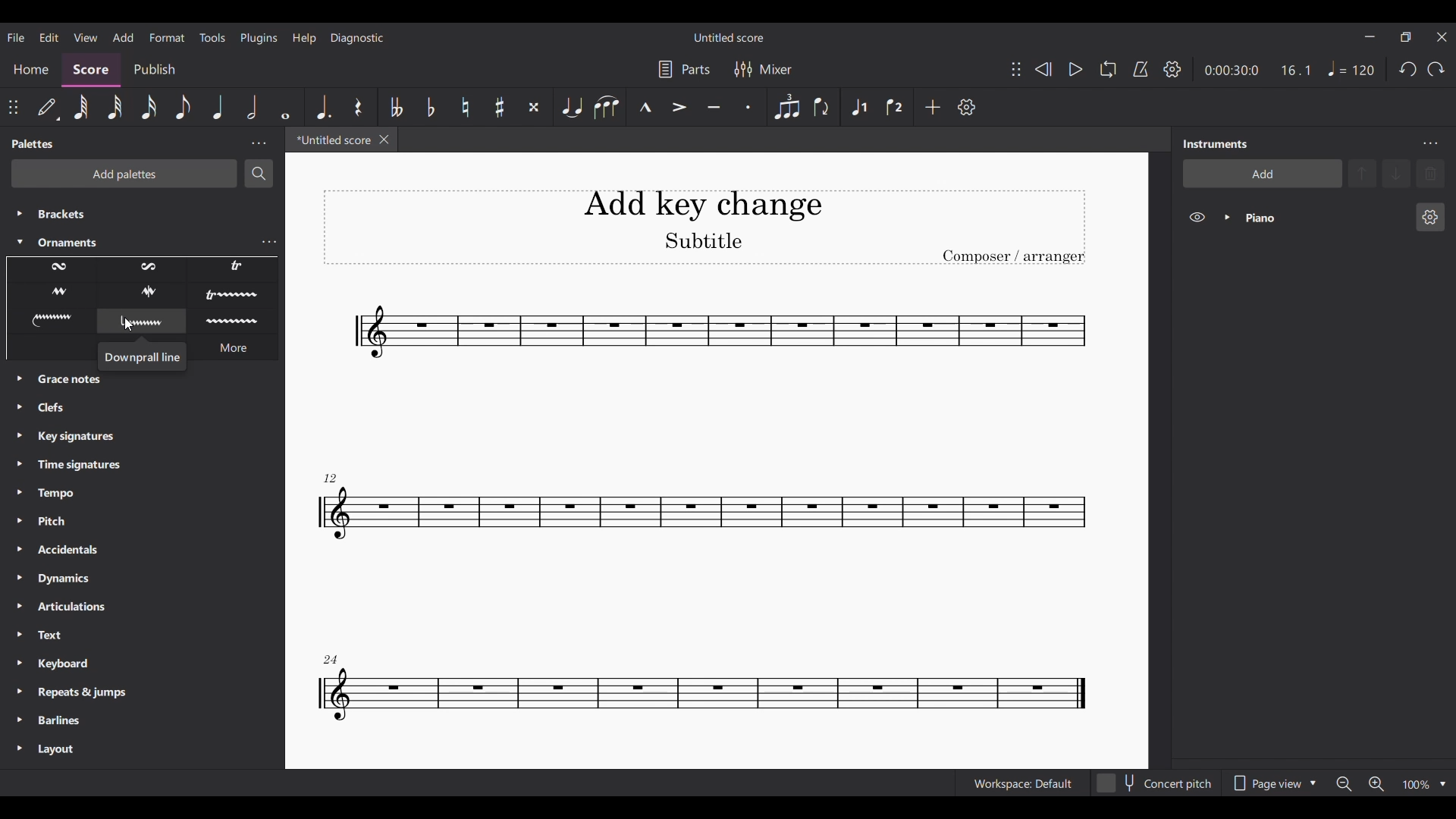  I want to click on Playback settings, so click(1172, 70).